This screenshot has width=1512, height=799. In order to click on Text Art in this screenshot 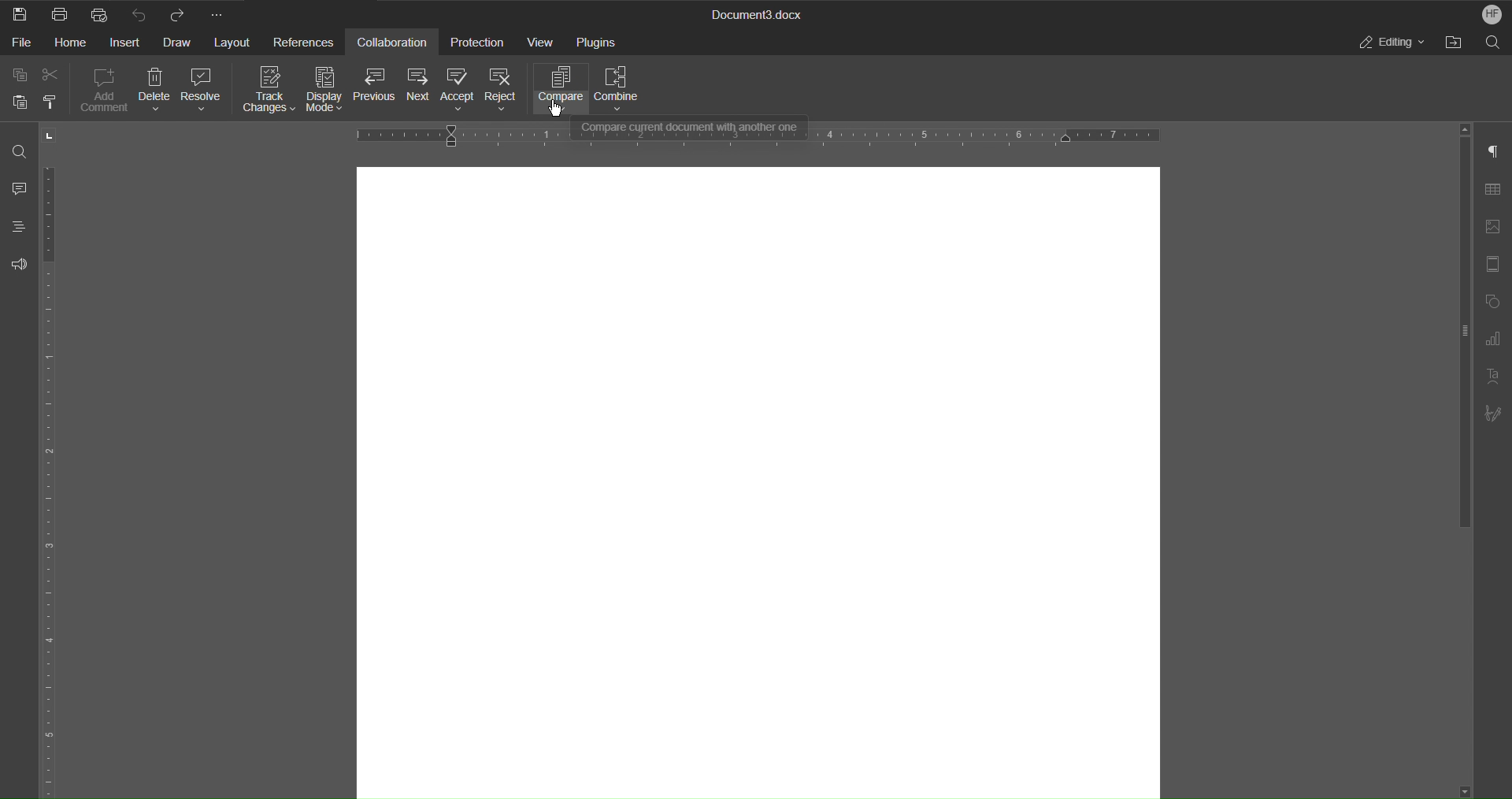, I will do `click(1494, 376)`.